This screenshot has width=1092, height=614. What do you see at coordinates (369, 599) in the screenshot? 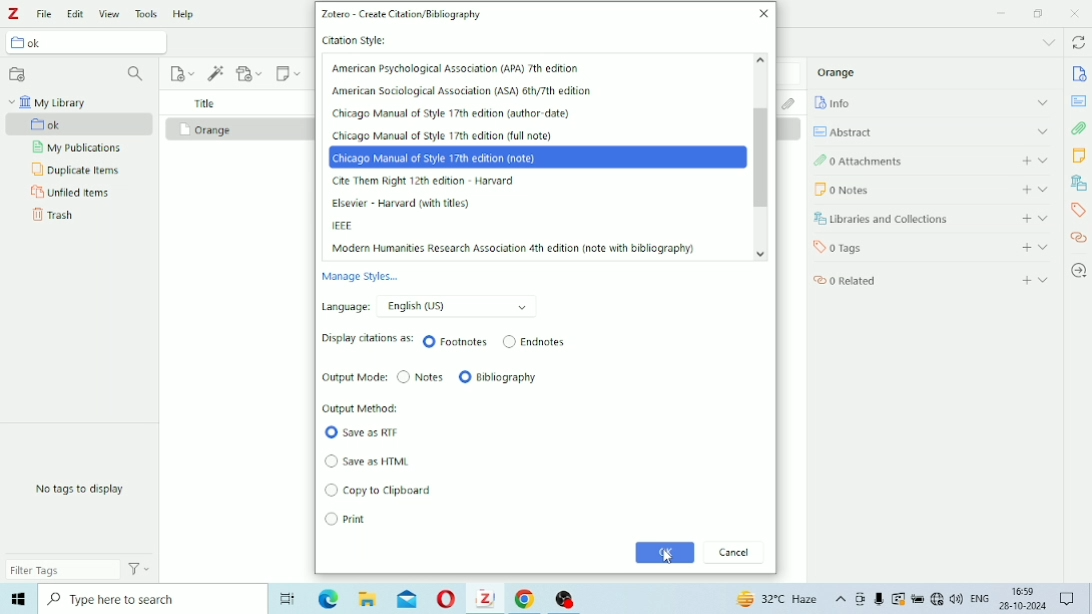
I see `File Explorer` at bounding box center [369, 599].